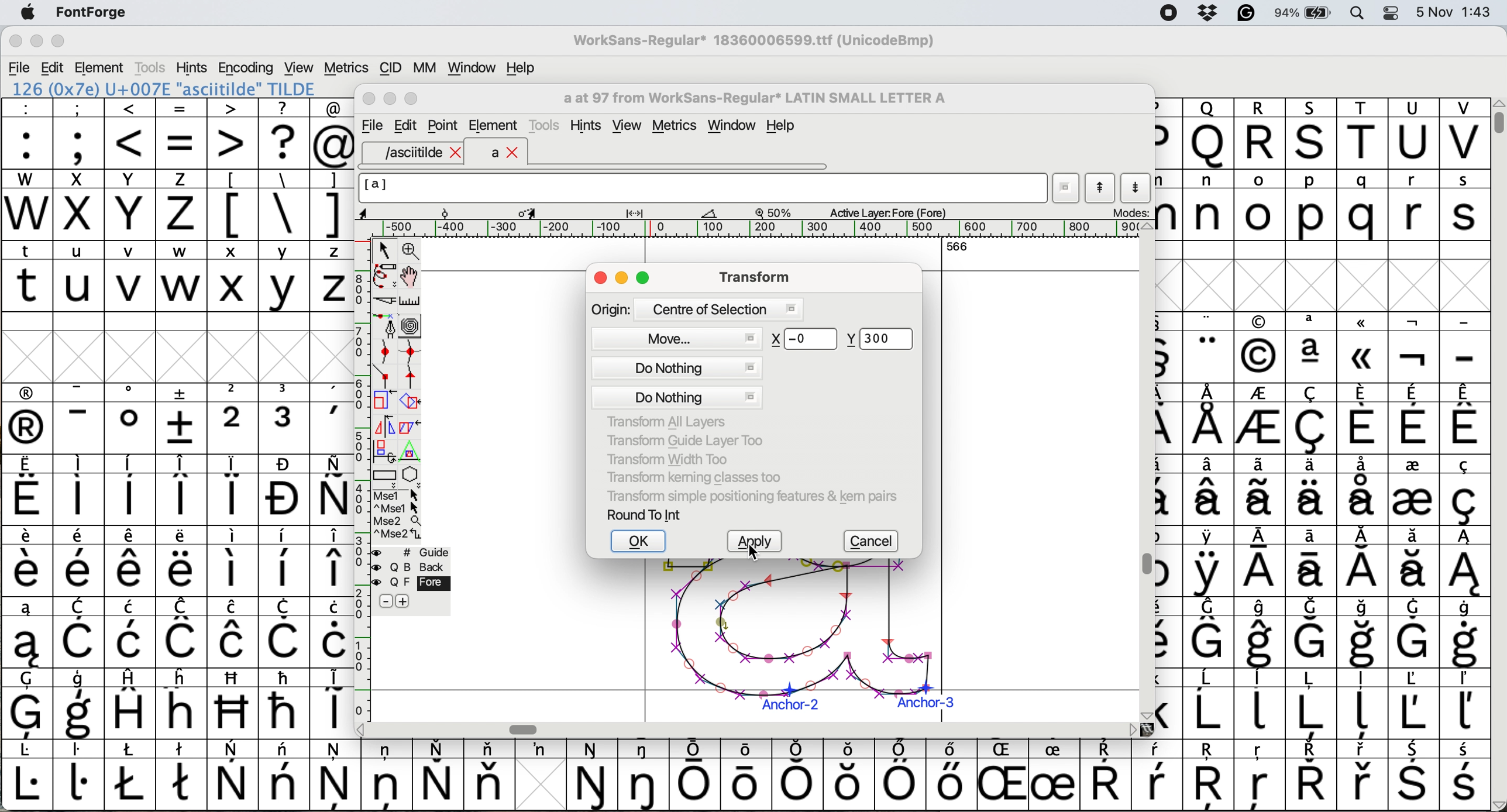 Image resolution: width=1507 pixels, height=812 pixels. What do you see at coordinates (234, 703) in the screenshot?
I see `` at bounding box center [234, 703].